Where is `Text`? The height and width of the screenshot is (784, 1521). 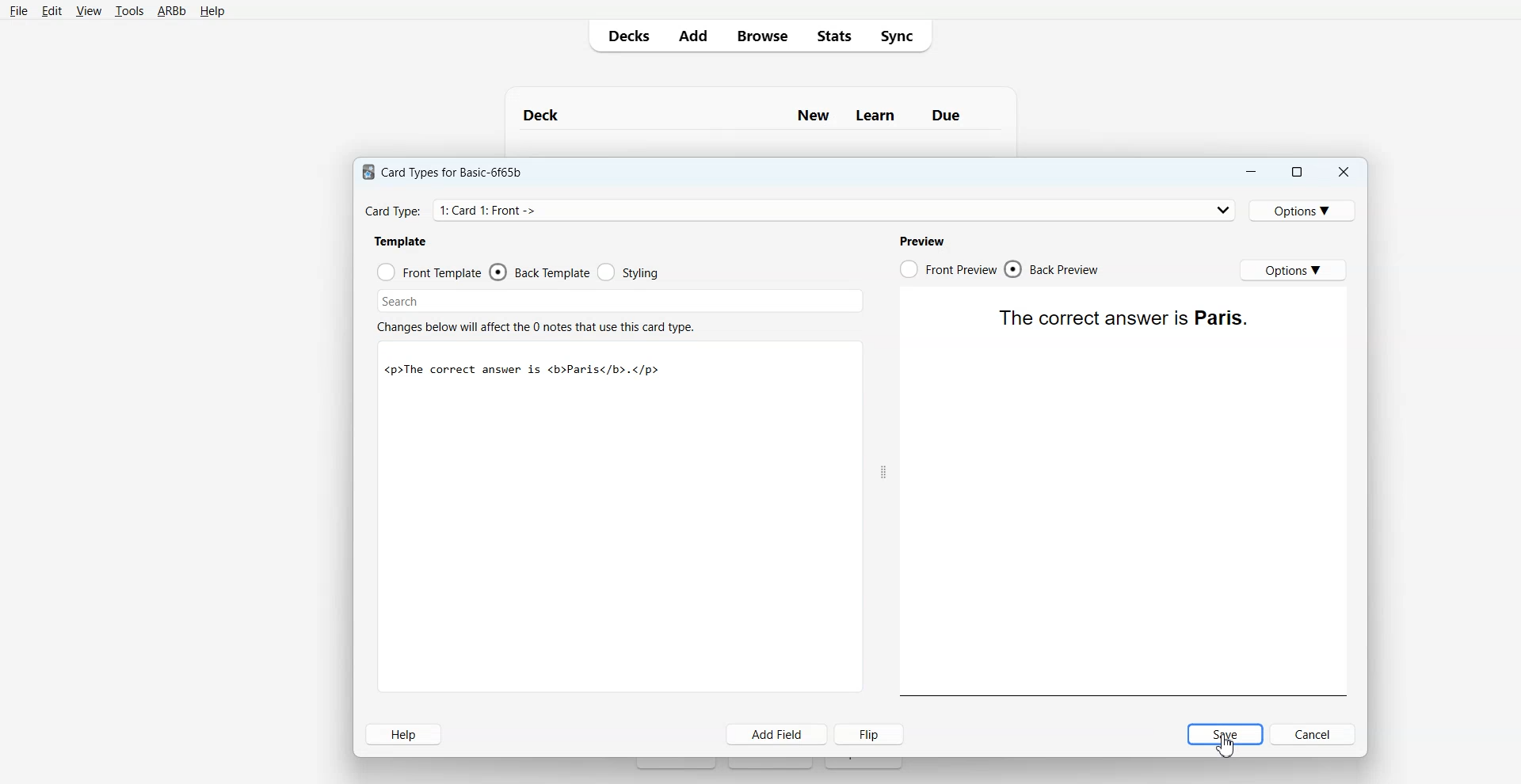 Text is located at coordinates (1228, 745).